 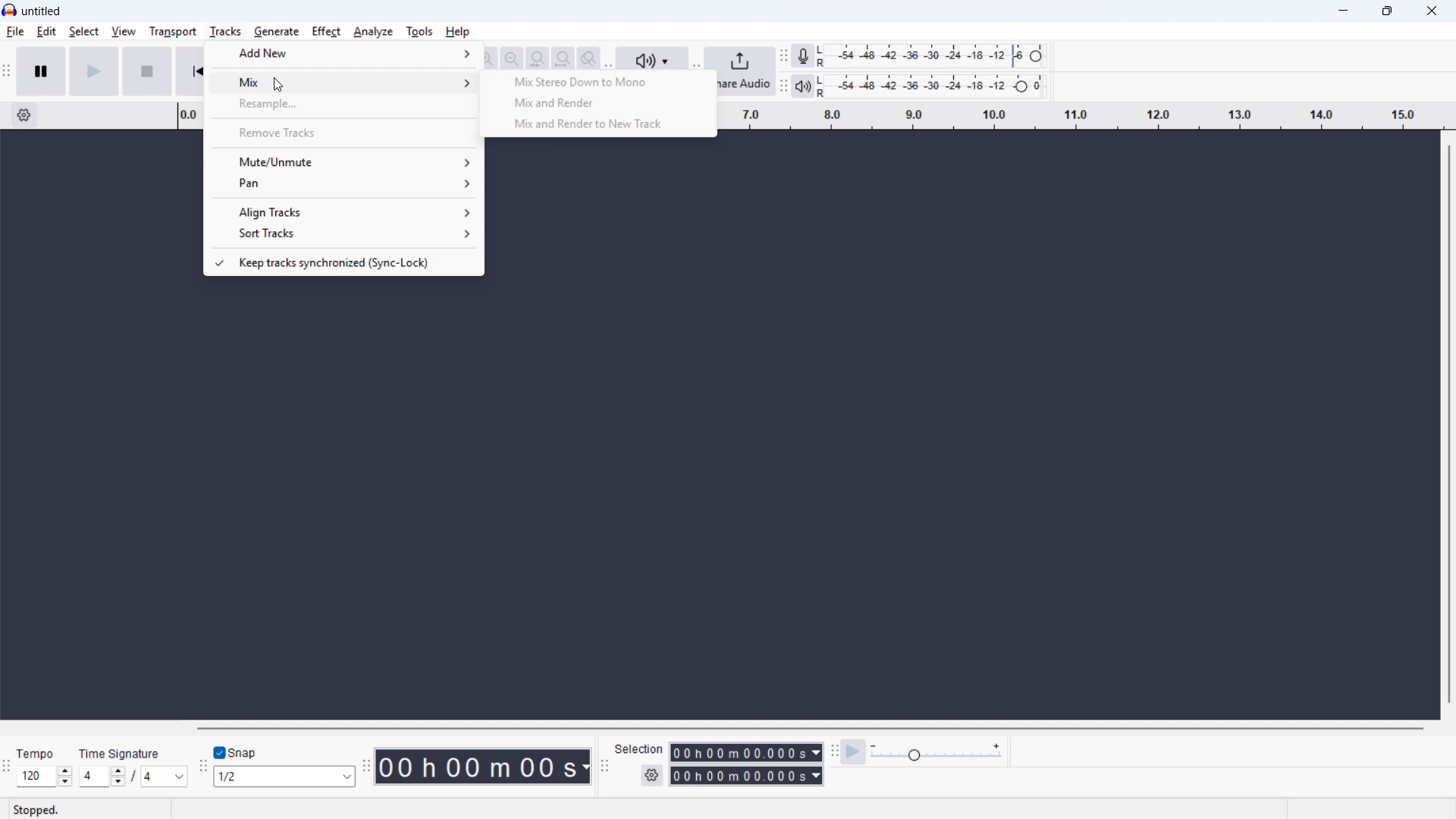 What do you see at coordinates (341, 52) in the screenshot?
I see `Add new  ` at bounding box center [341, 52].